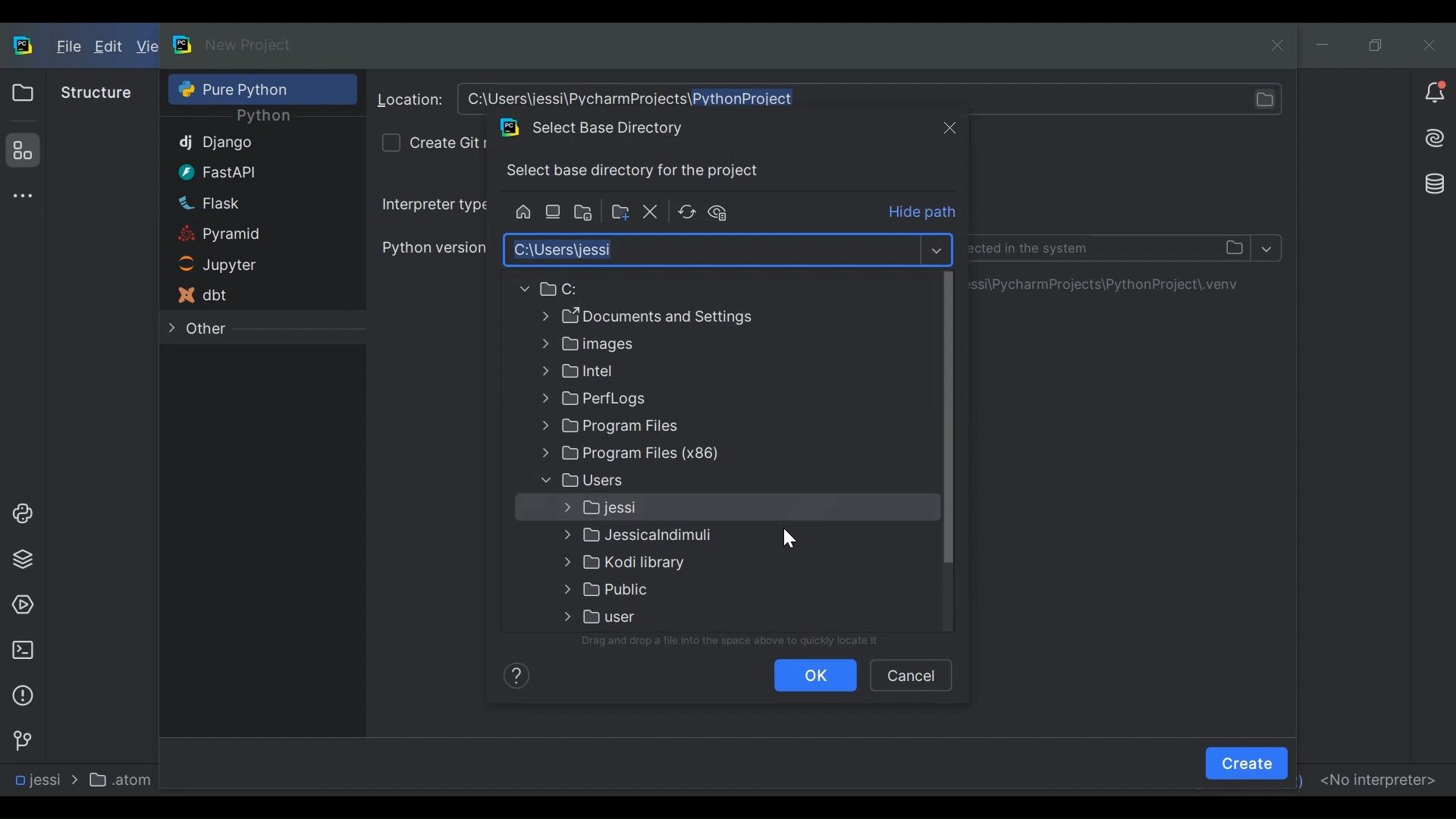  Describe the element at coordinates (1377, 778) in the screenshot. I see `<No interpreter>` at that location.